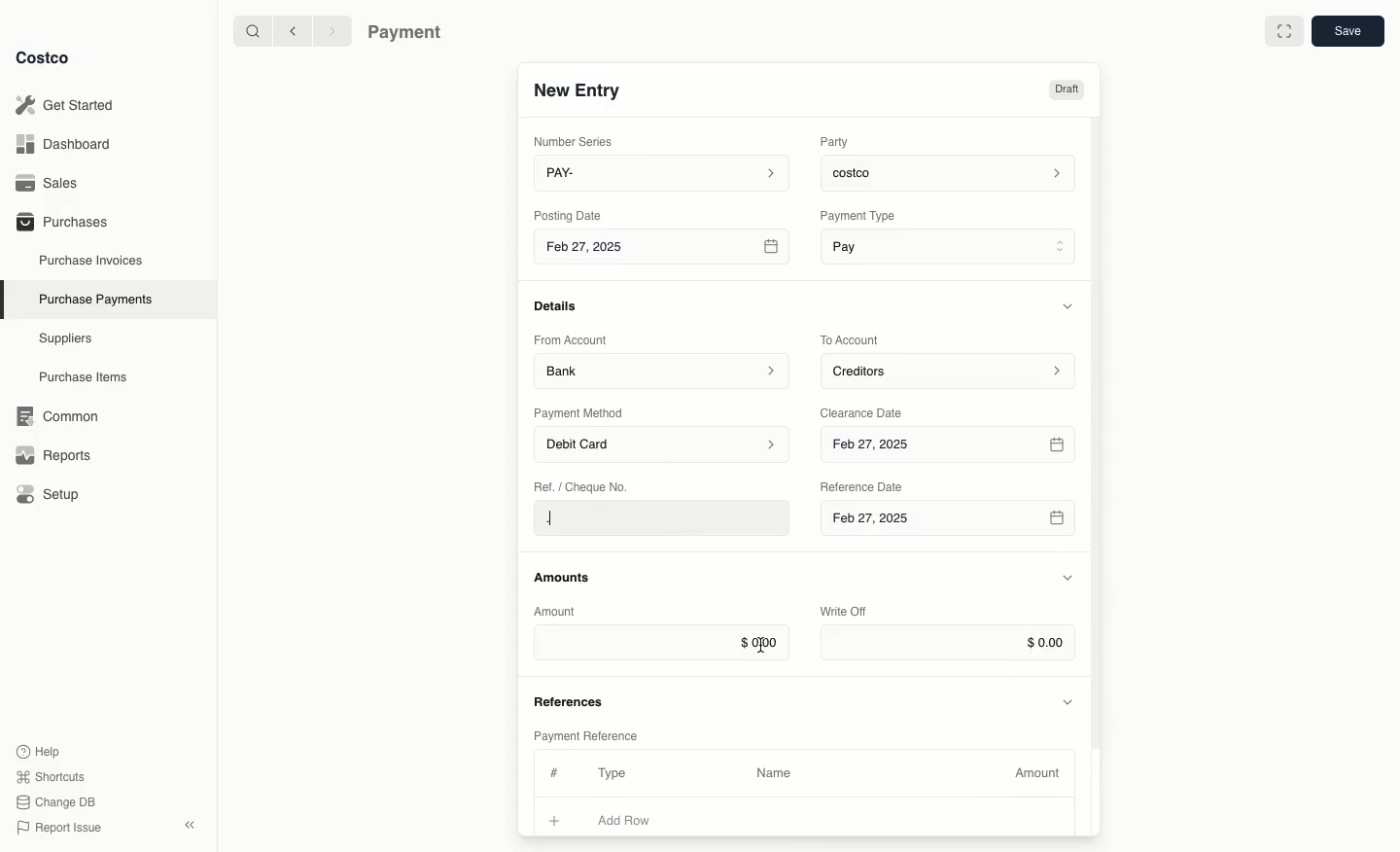 This screenshot has width=1400, height=852. I want to click on Details, so click(561, 305).